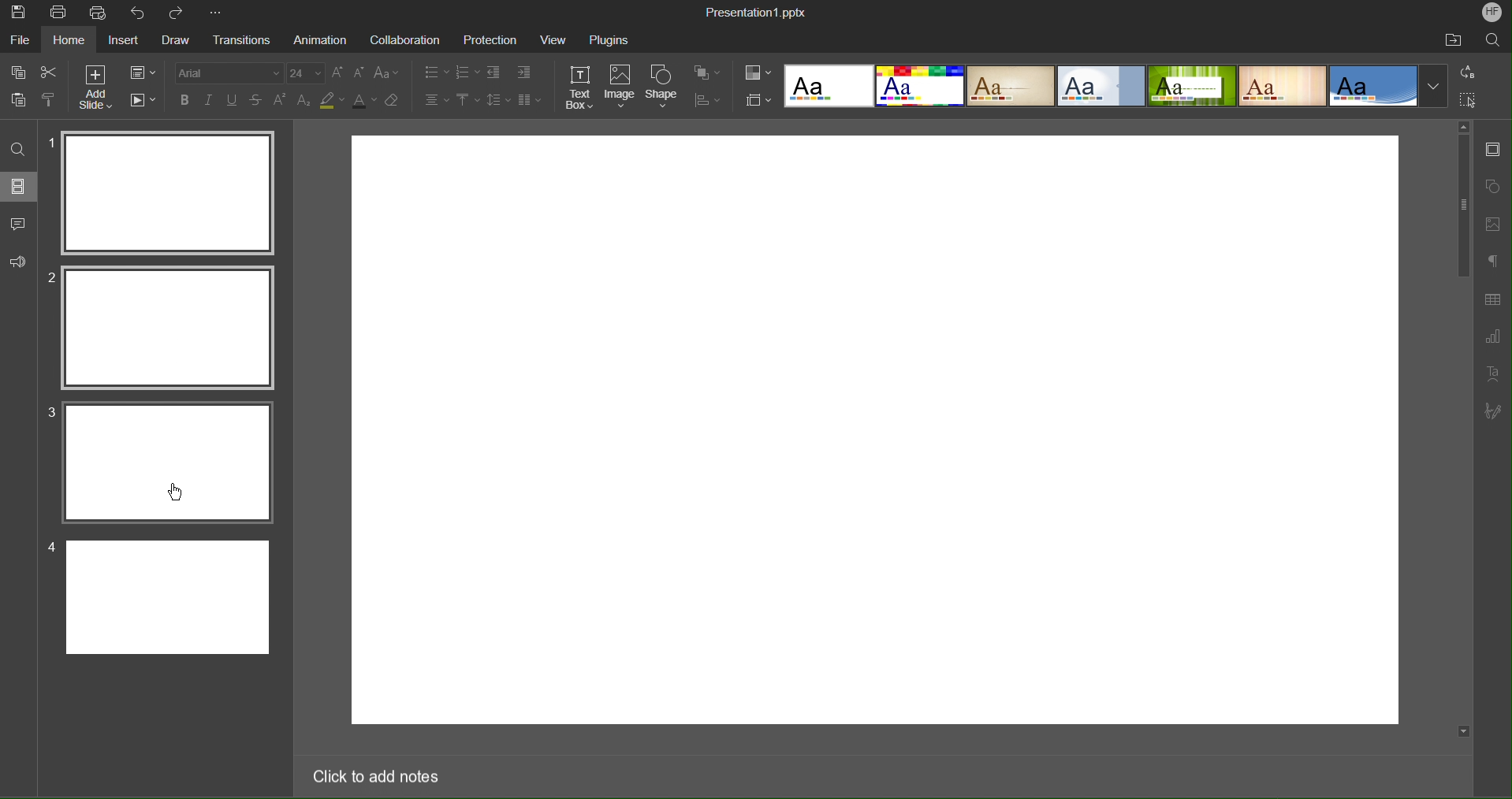 Image resolution: width=1512 pixels, height=799 pixels. What do you see at coordinates (404, 39) in the screenshot?
I see `Collaboration` at bounding box center [404, 39].